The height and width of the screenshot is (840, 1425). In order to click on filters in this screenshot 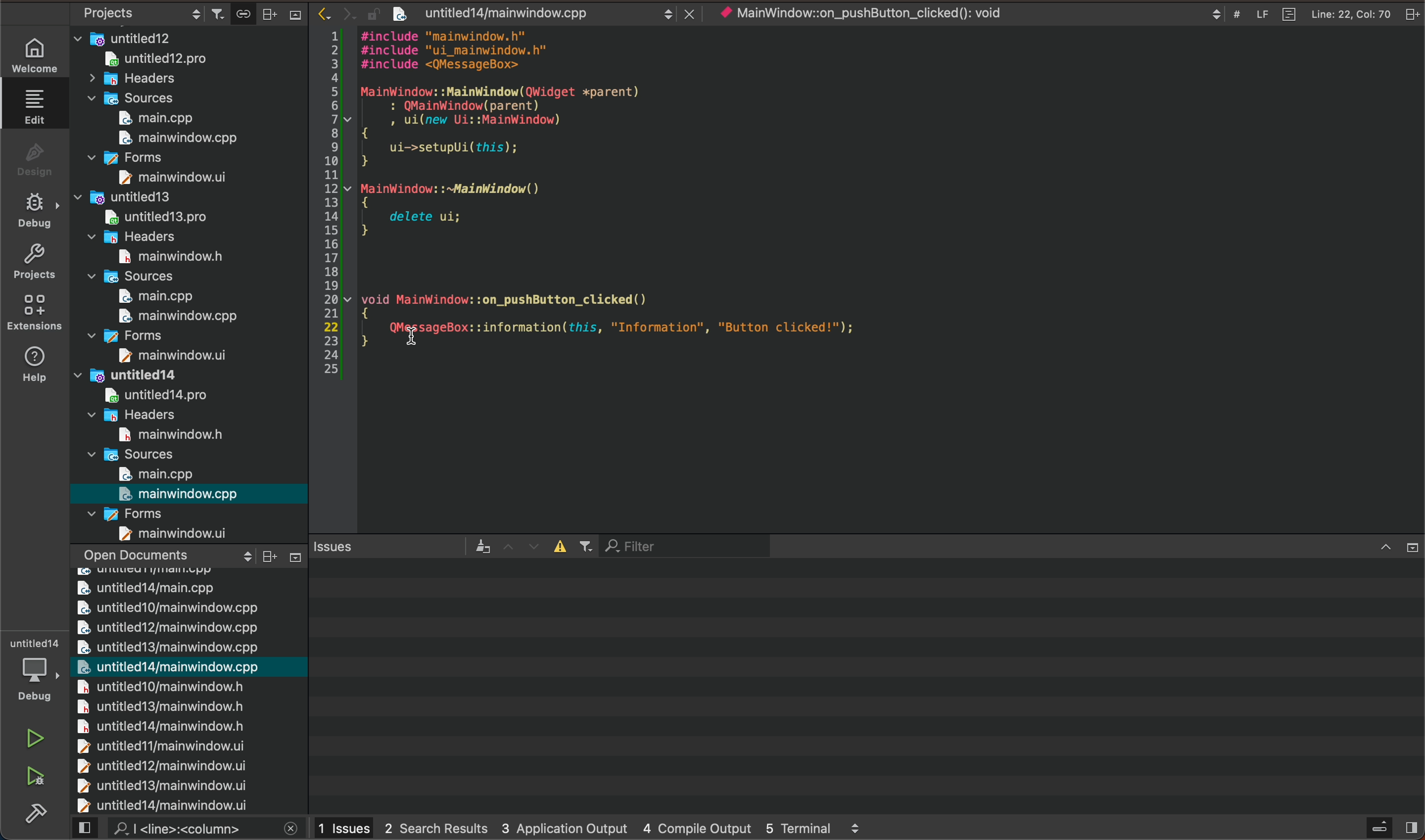, I will do `click(576, 547)`.